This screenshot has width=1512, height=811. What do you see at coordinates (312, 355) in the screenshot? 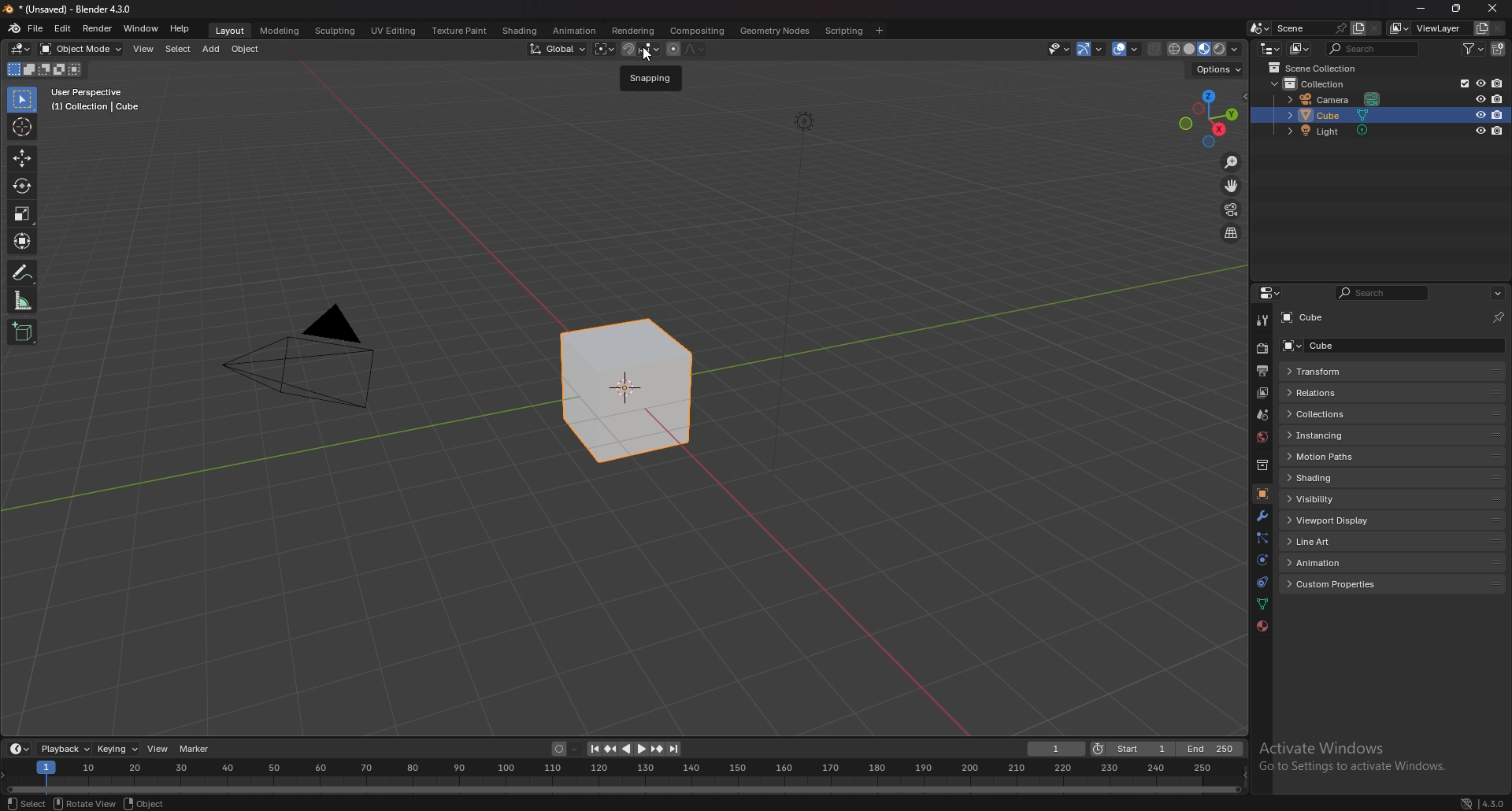
I see `camera` at bounding box center [312, 355].